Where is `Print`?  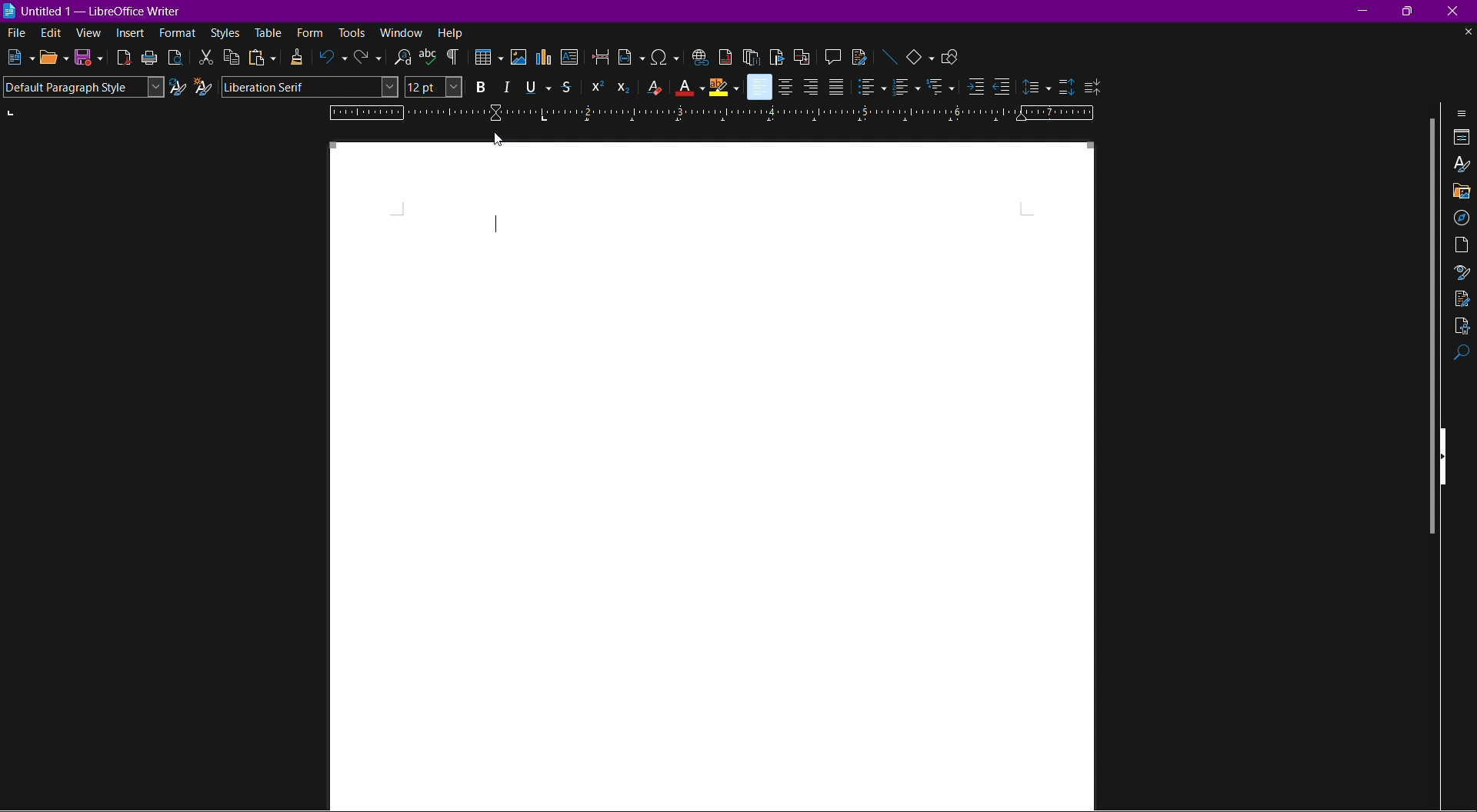
Print is located at coordinates (150, 58).